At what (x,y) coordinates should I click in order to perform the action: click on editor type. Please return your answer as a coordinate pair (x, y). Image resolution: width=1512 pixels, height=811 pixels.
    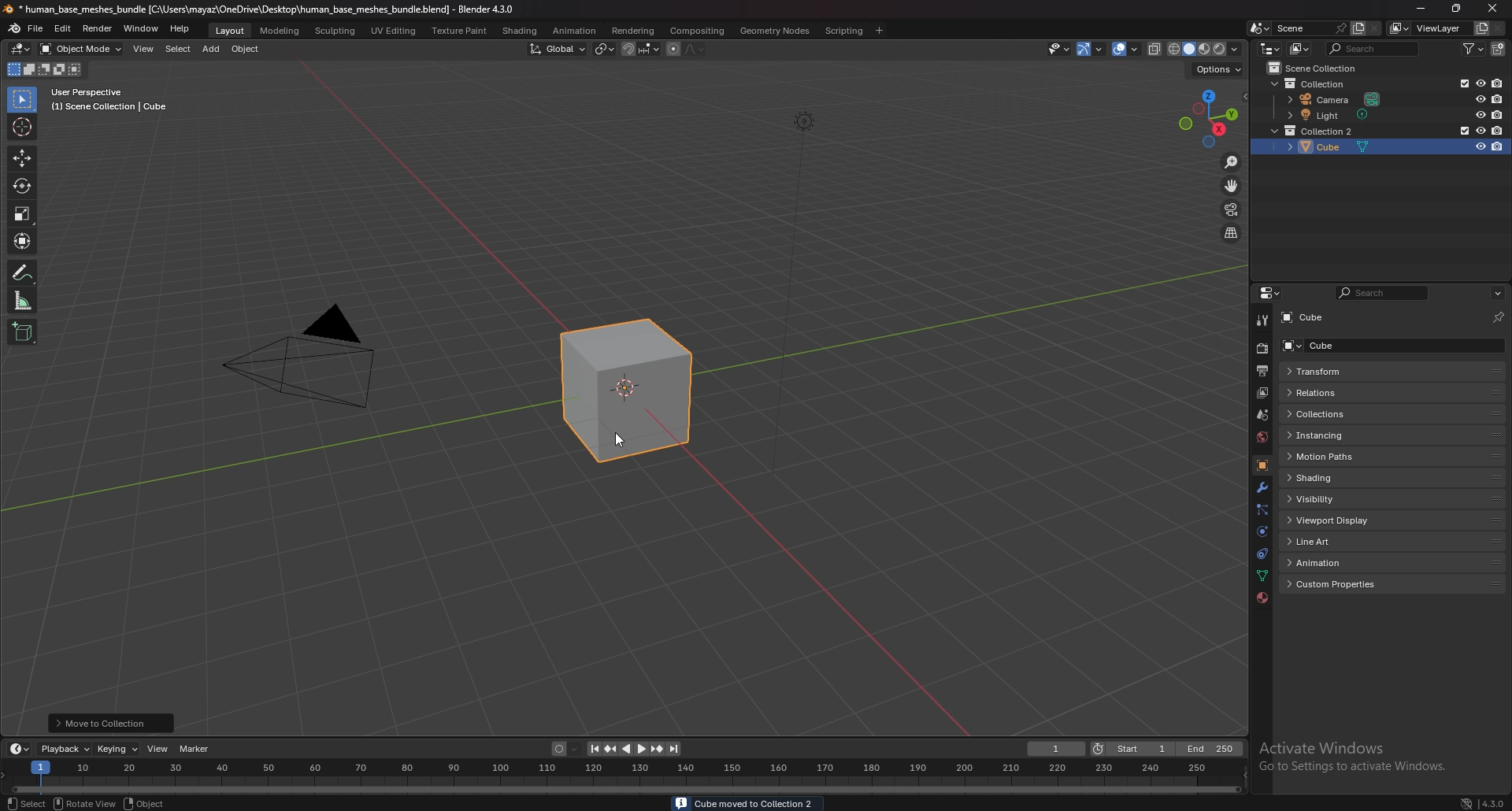
    Looking at the image, I should click on (22, 48).